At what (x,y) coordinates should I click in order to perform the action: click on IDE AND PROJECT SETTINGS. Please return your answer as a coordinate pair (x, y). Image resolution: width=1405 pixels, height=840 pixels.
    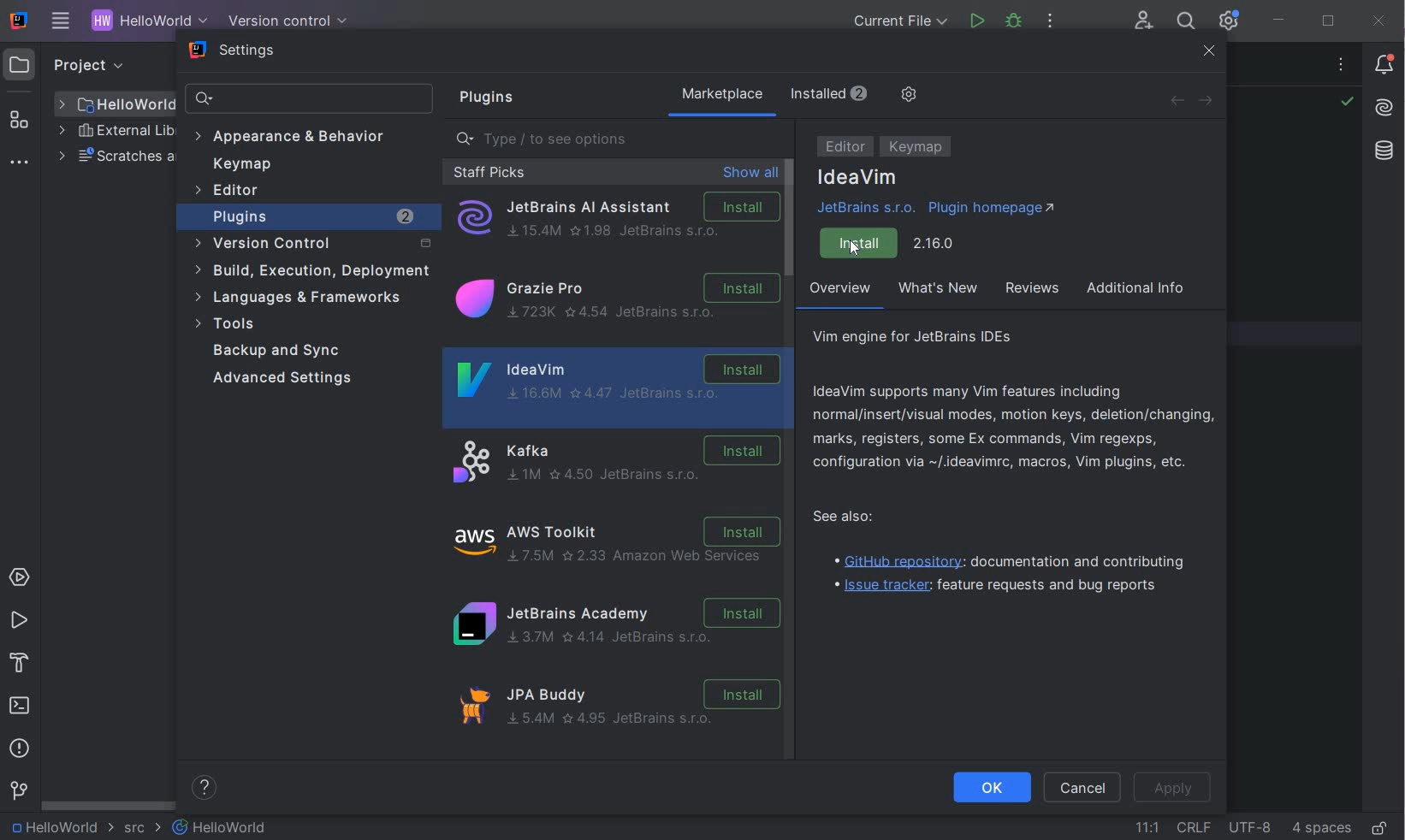
    Looking at the image, I should click on (1227, 21).